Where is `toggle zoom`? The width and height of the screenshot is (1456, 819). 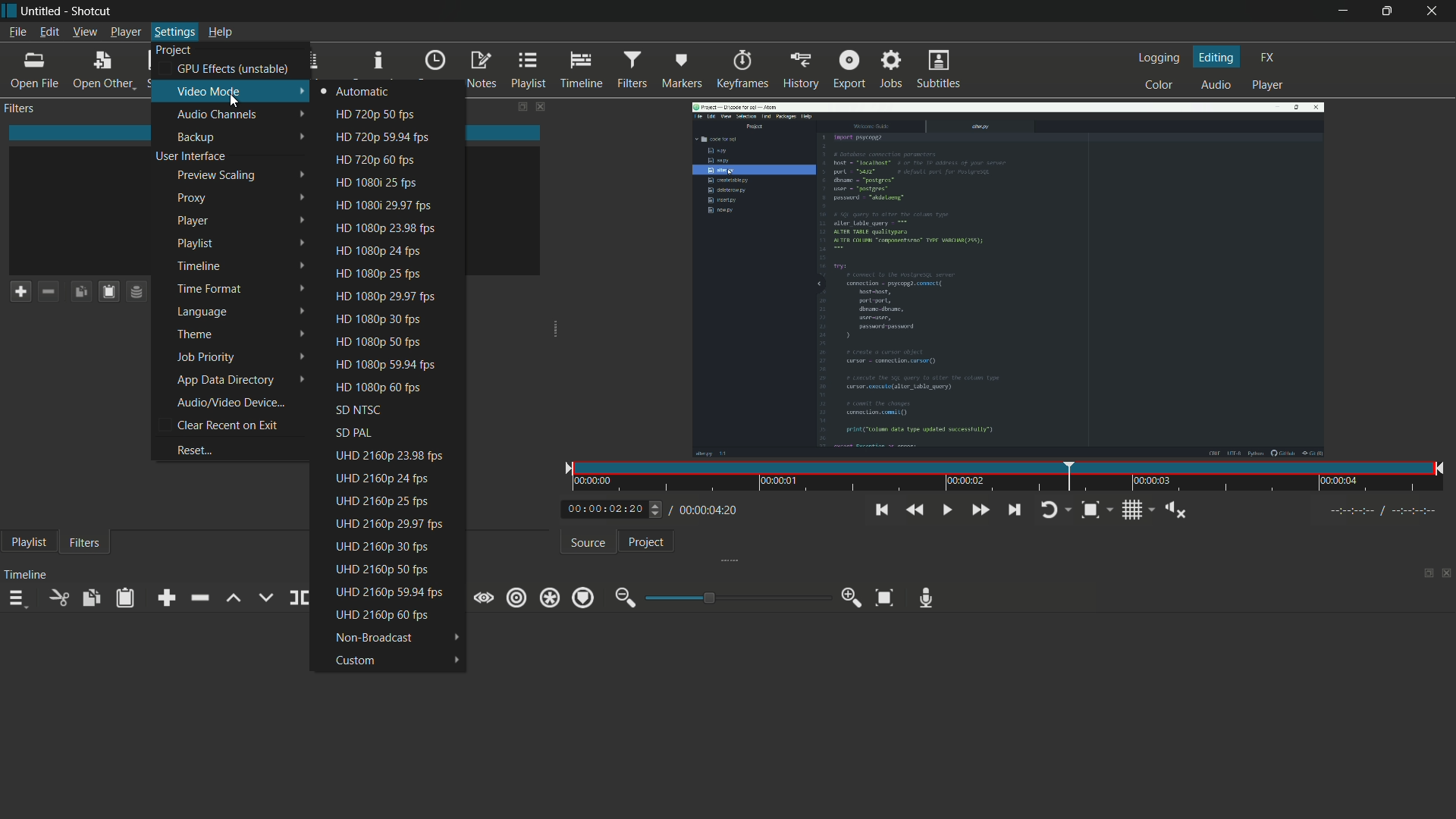
toggle zoom is located at coordinates (1097, 510).